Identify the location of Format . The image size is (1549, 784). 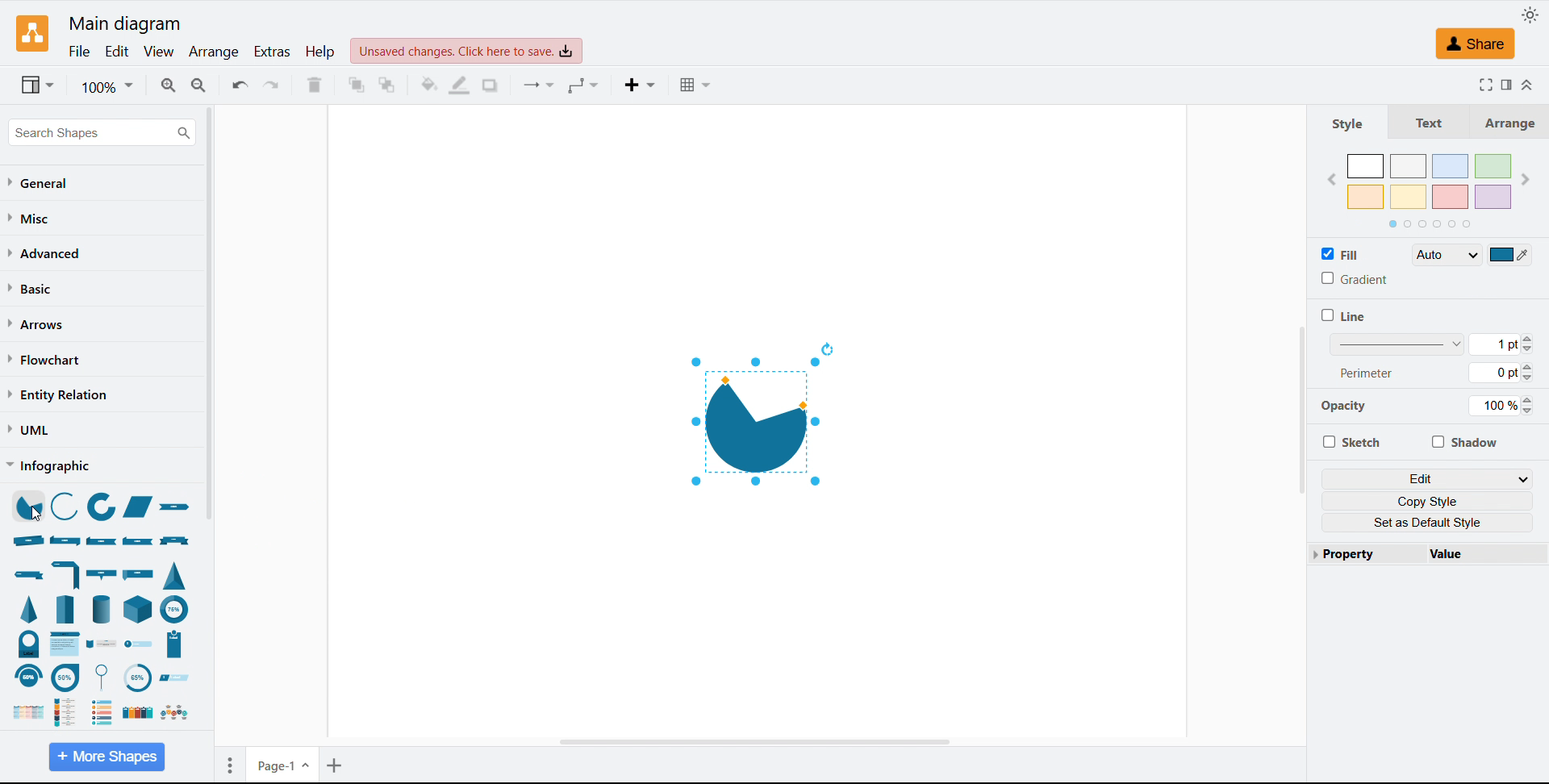
(1509, 85).